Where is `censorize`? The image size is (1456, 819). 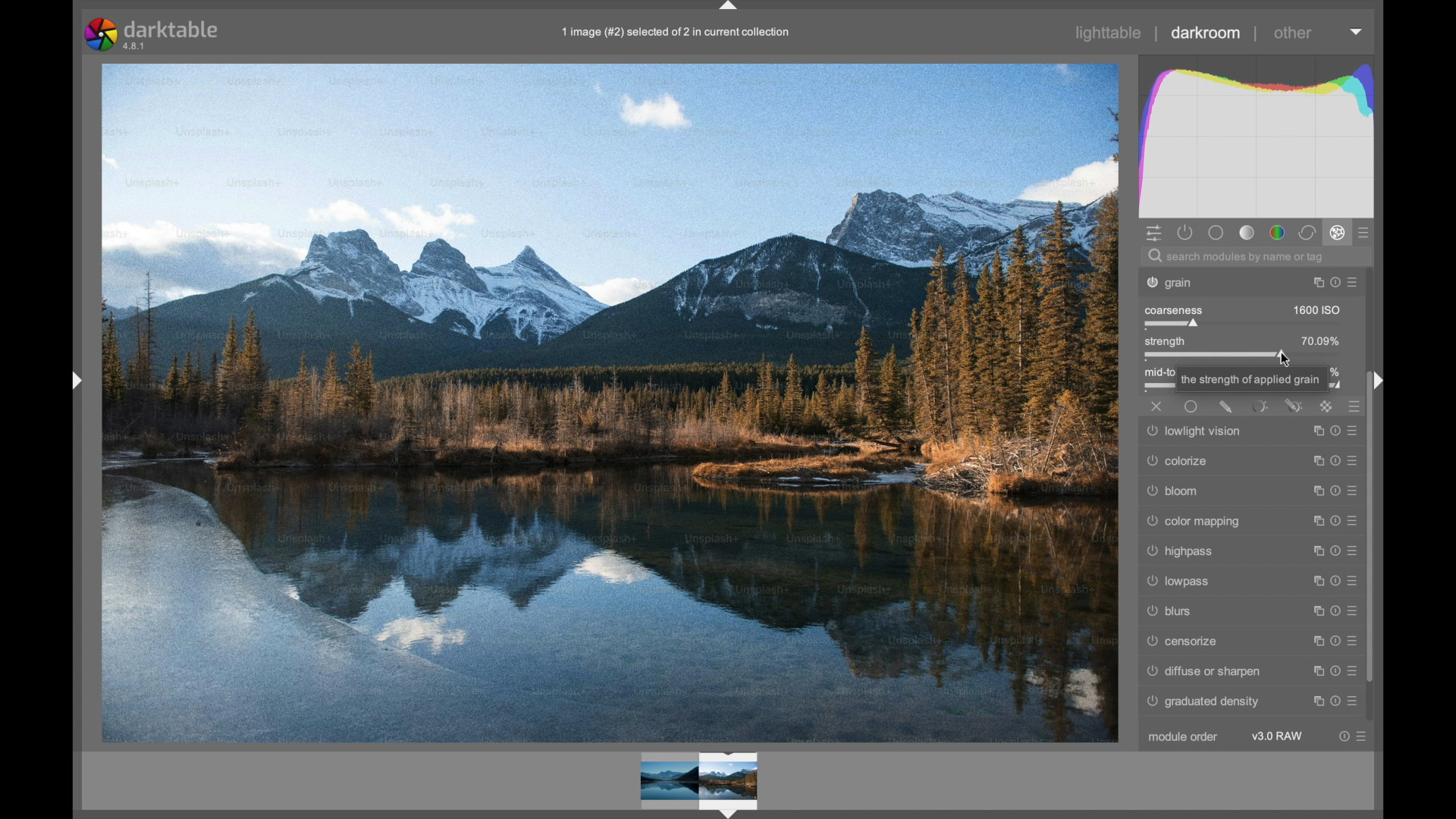
censorize is located at coordinates (1180, 642).